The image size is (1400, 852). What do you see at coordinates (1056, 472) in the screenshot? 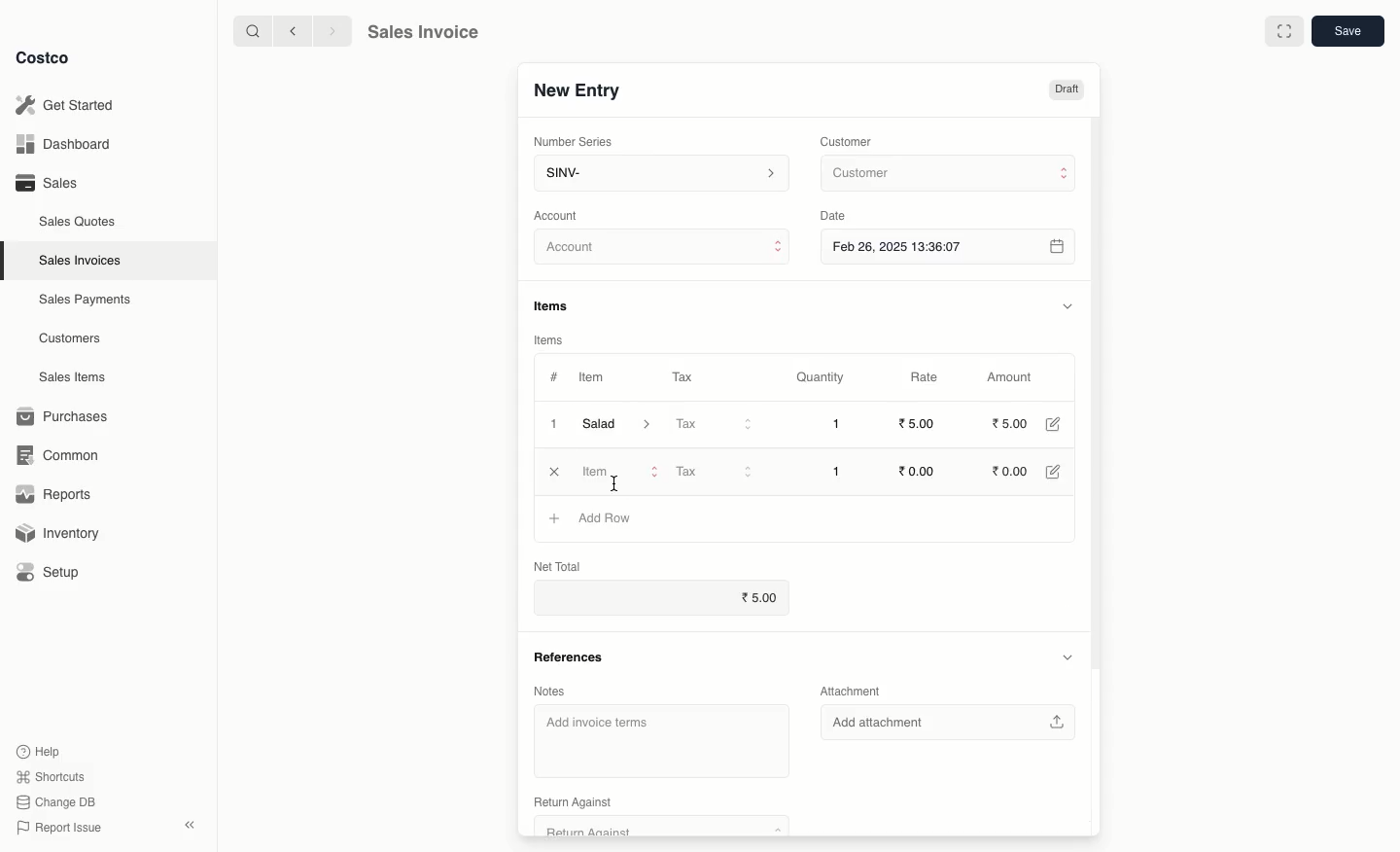
I see `Edit` at bounding box center [1056, 472].